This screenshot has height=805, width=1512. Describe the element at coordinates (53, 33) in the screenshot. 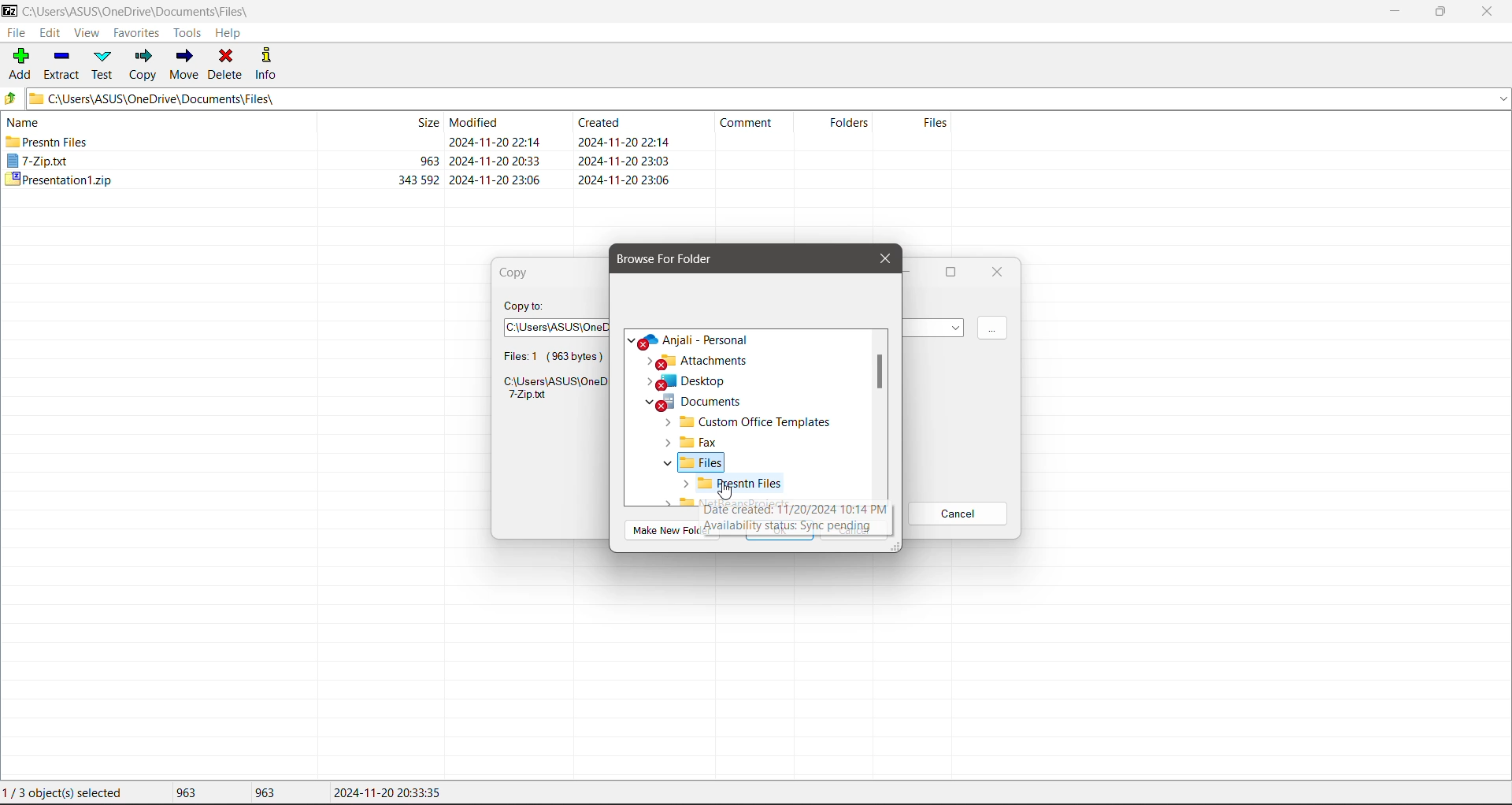

I see `Edit` at that location.